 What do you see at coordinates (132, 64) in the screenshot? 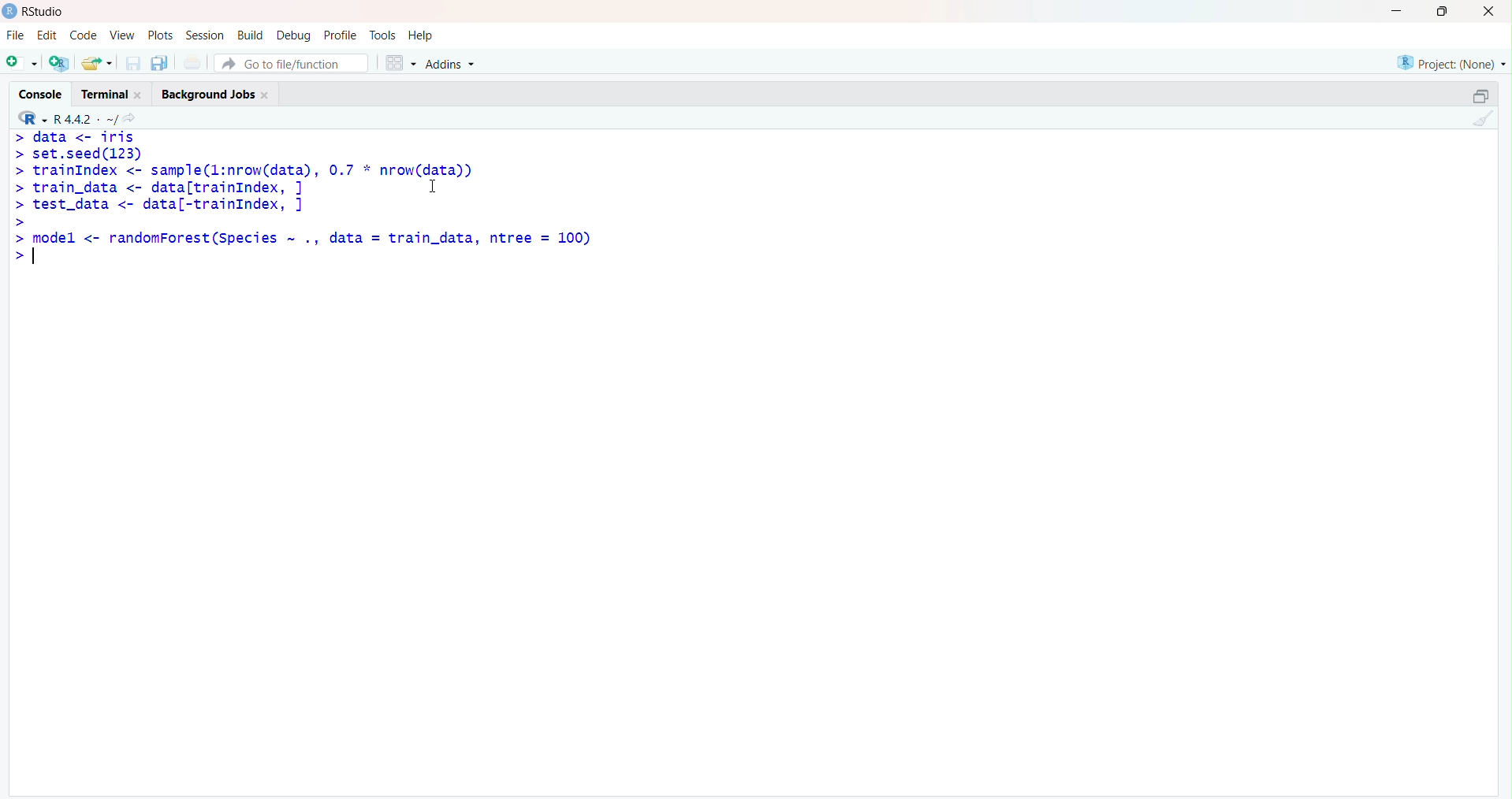
I see `Save current document (Ctrl + S)` at bounding box center [132, 64].